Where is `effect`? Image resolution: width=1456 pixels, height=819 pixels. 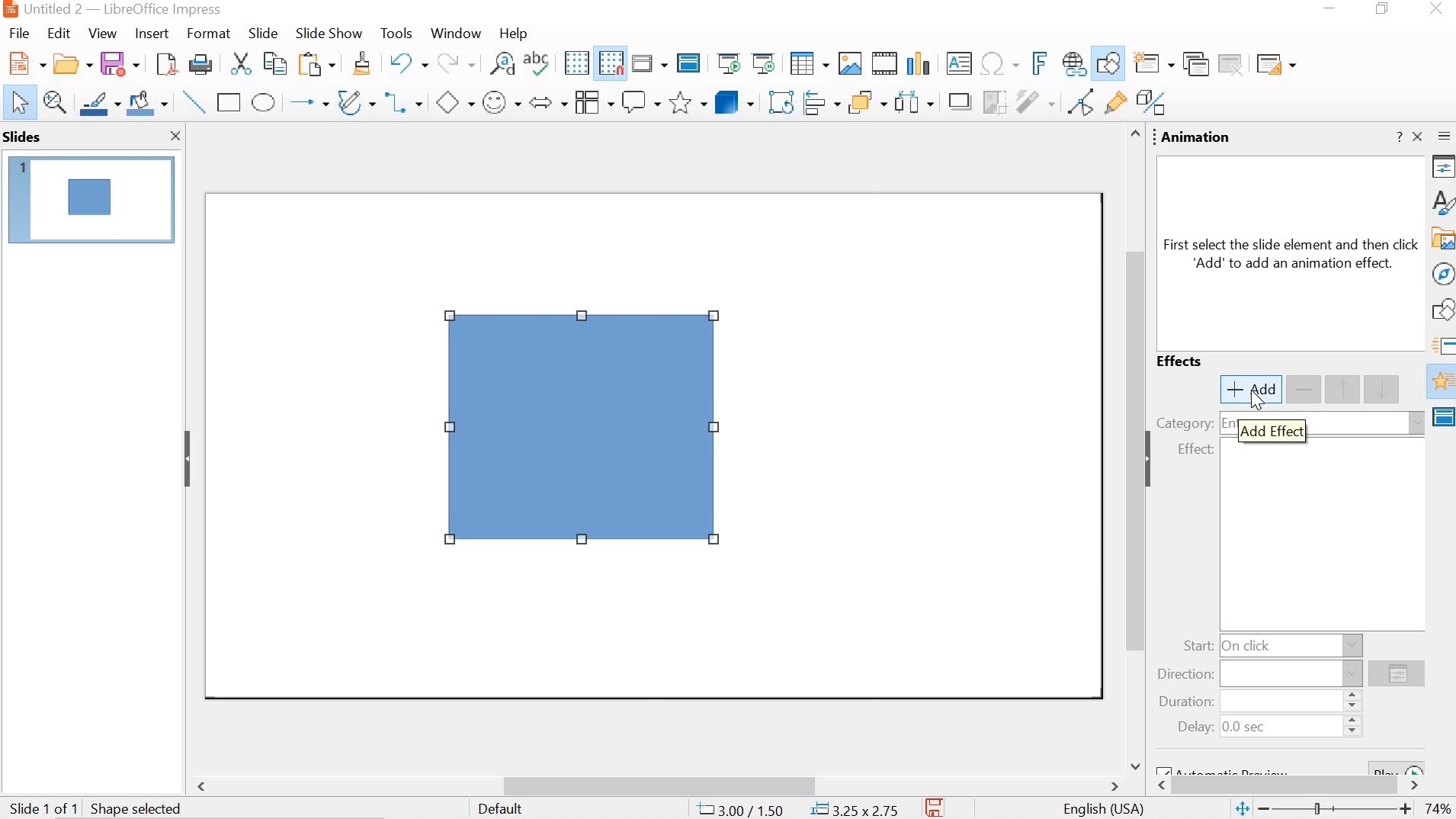 effect is located at coordinates (1203, 451).